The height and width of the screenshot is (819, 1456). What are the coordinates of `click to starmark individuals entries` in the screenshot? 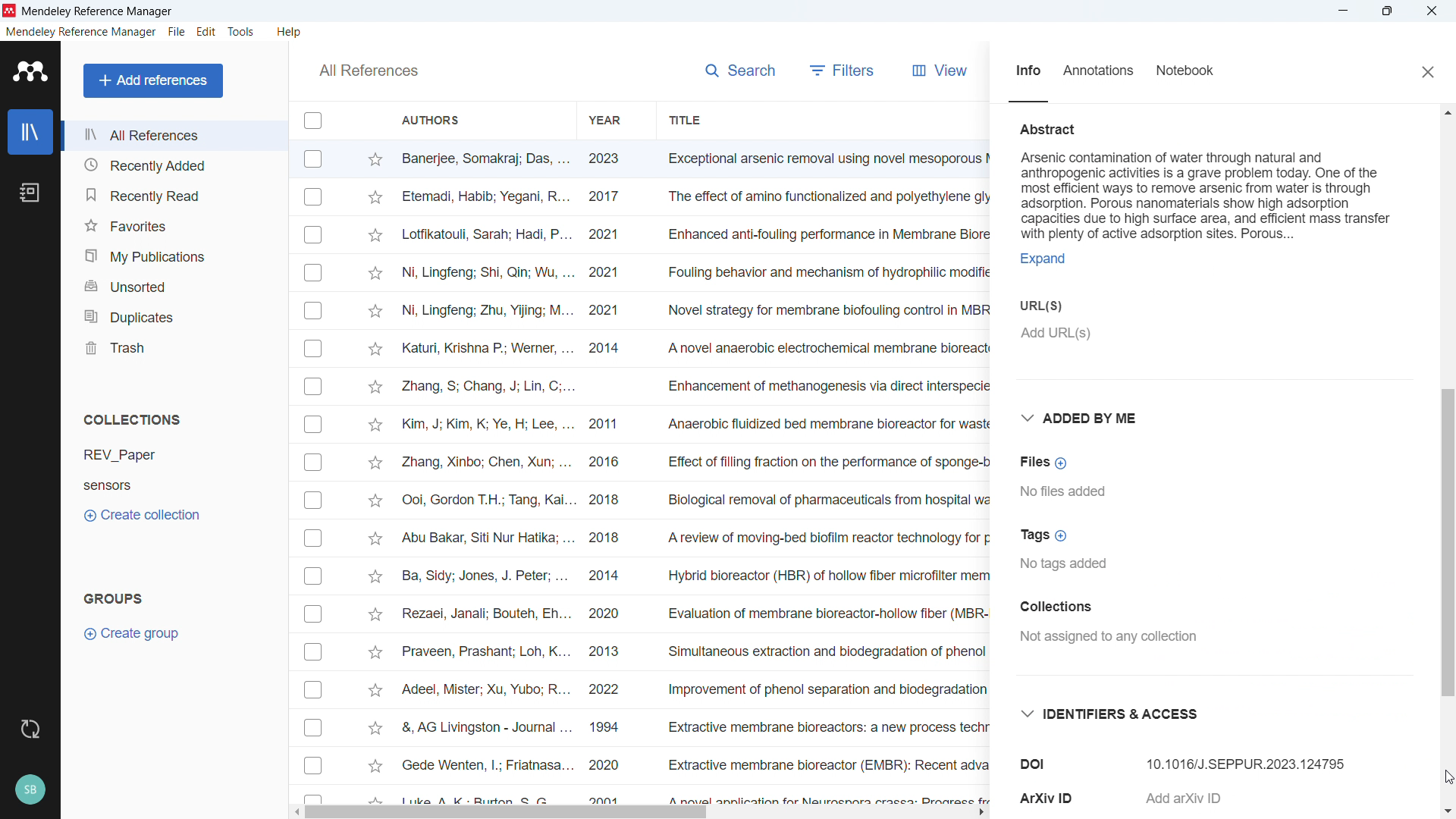 It's located at (375, 693).